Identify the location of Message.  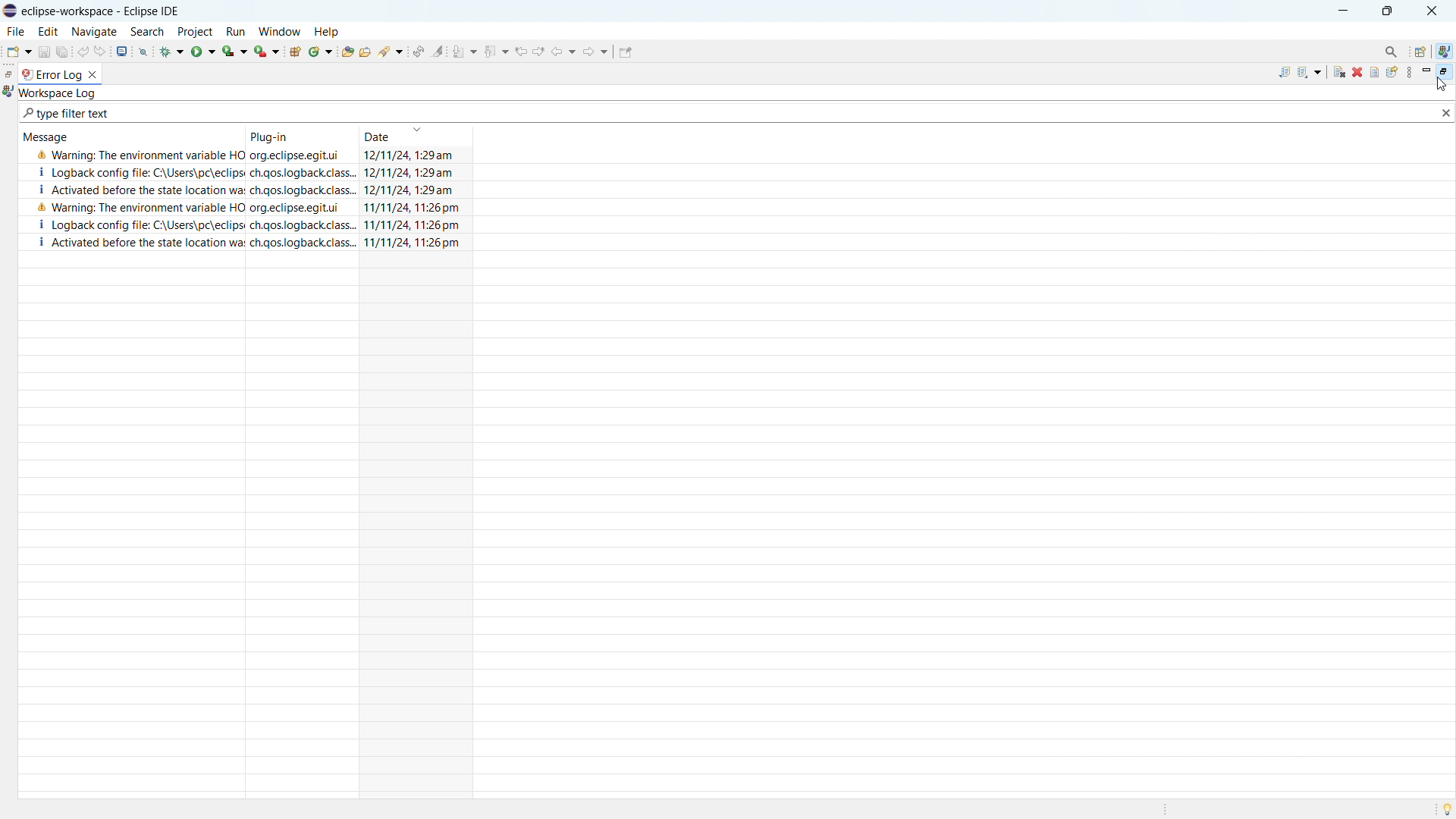
(52, 136).